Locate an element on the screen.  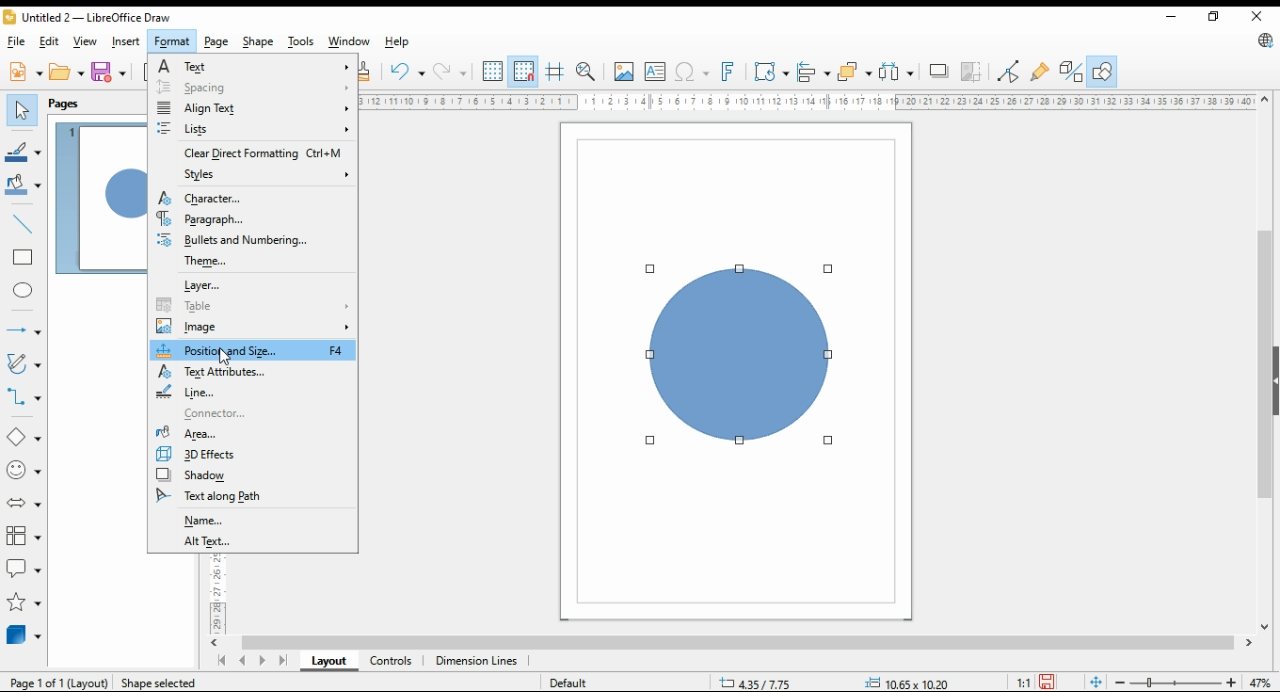
select is located at coordinates (22, 110).